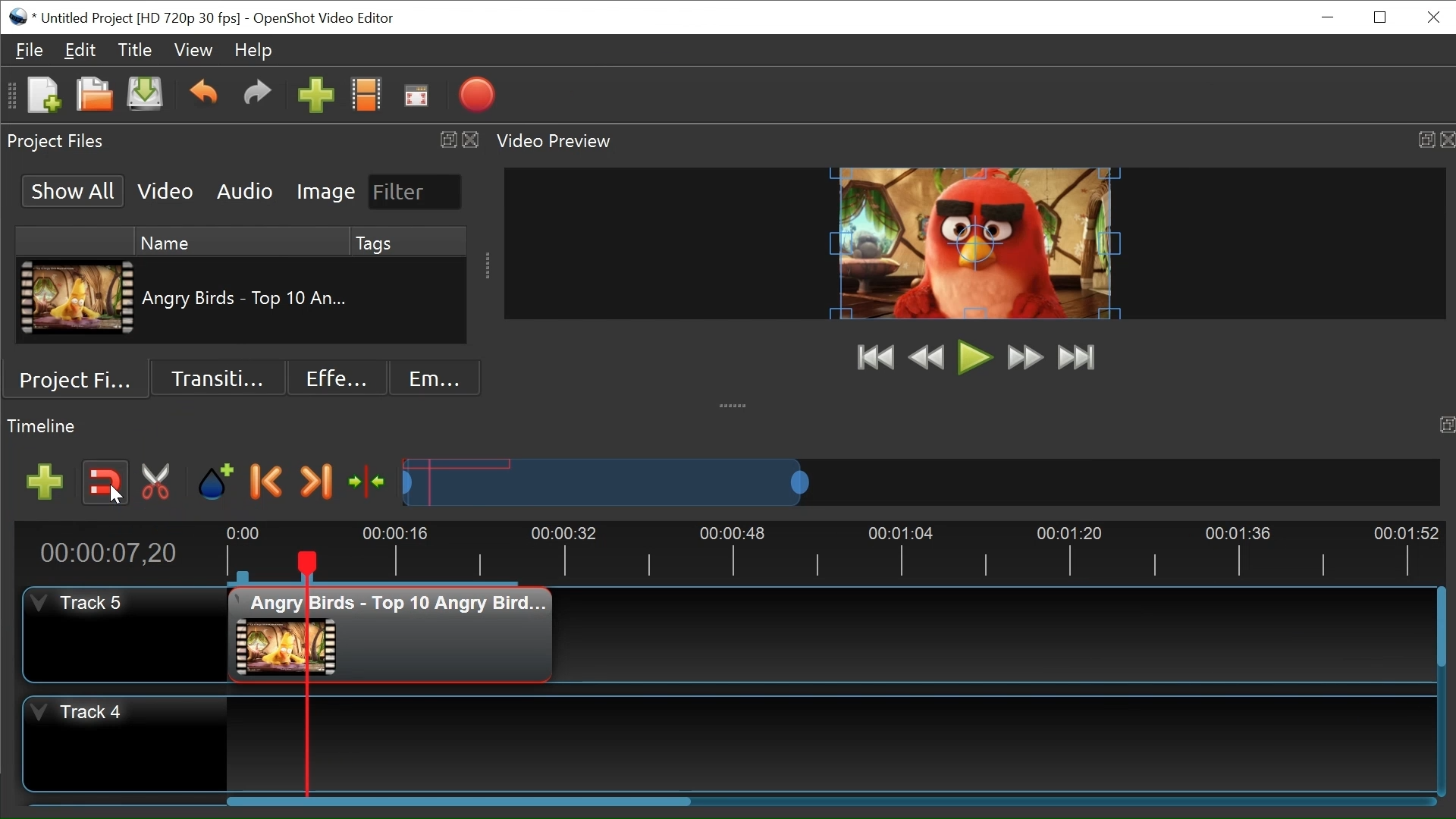 This screenshot has width=1456, height=819. Describe the element at coordinates (43, 95) in the screenshot. I see `New Project` at that location.